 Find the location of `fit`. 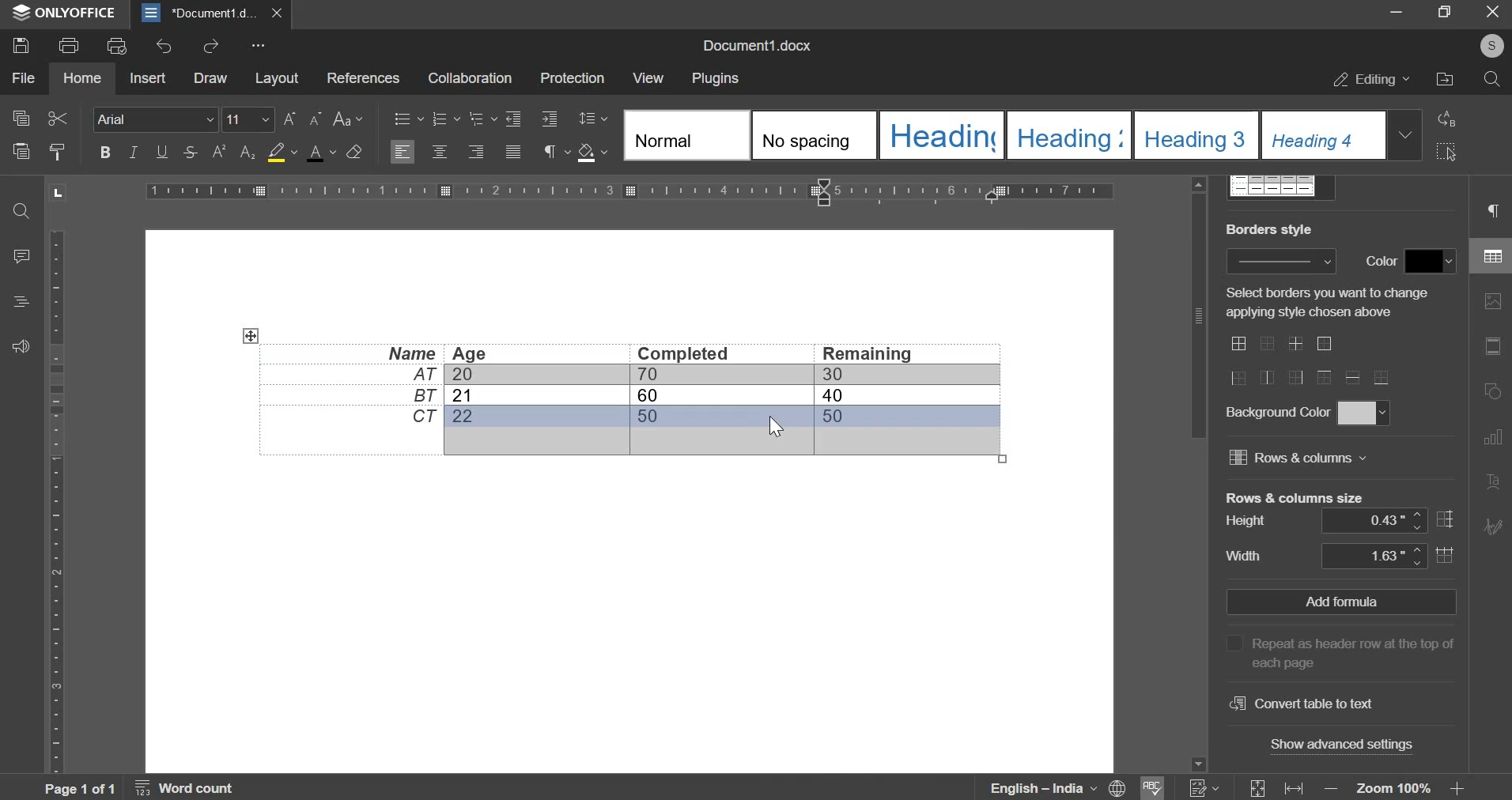

fit is located at coordinates (1275, 787).